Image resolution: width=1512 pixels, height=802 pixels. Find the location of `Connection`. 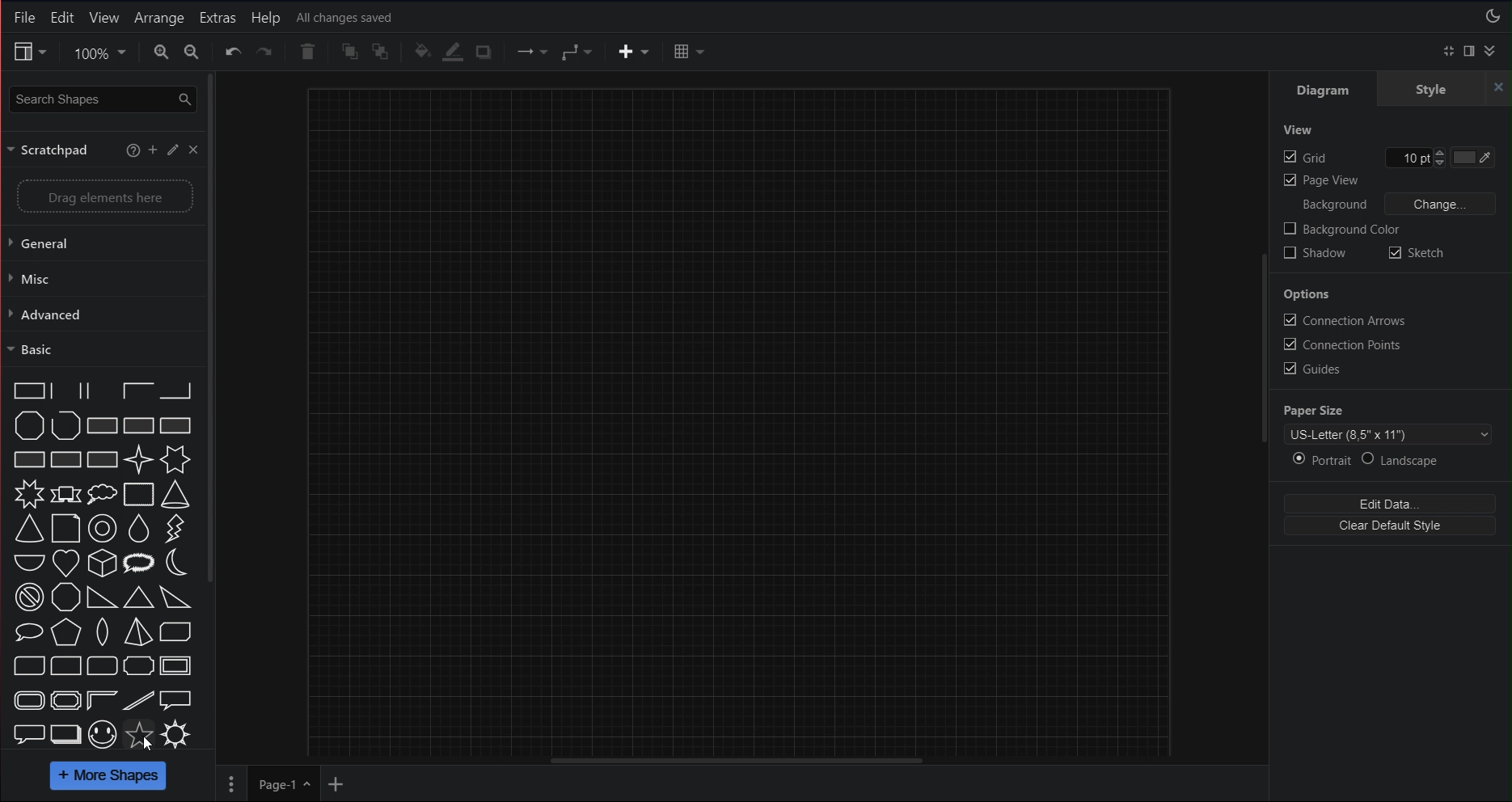

Connection is located at coordinates (531, 52).